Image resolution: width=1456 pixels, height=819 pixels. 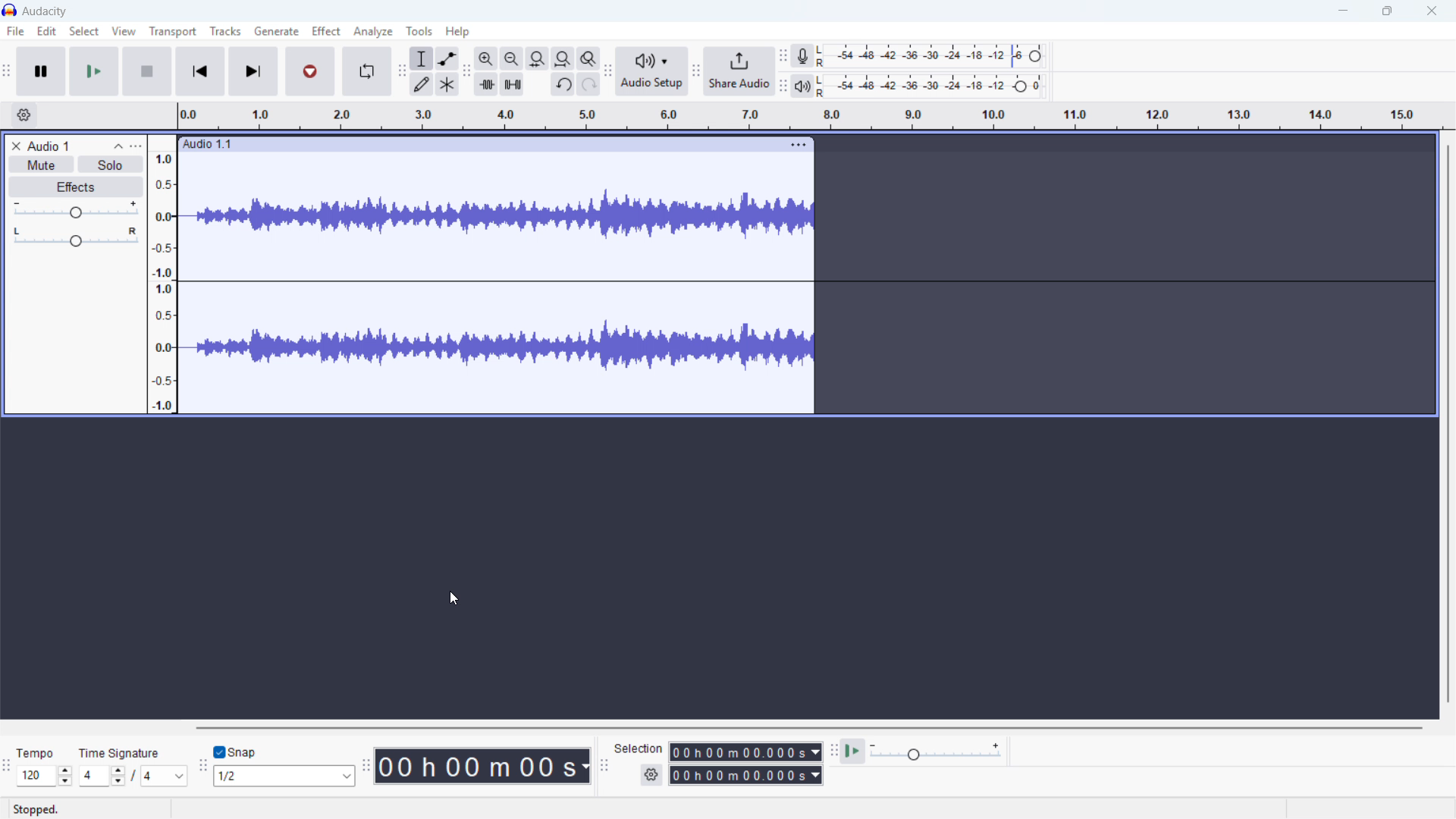 I want to click on Record , so click(x=310, y=71).